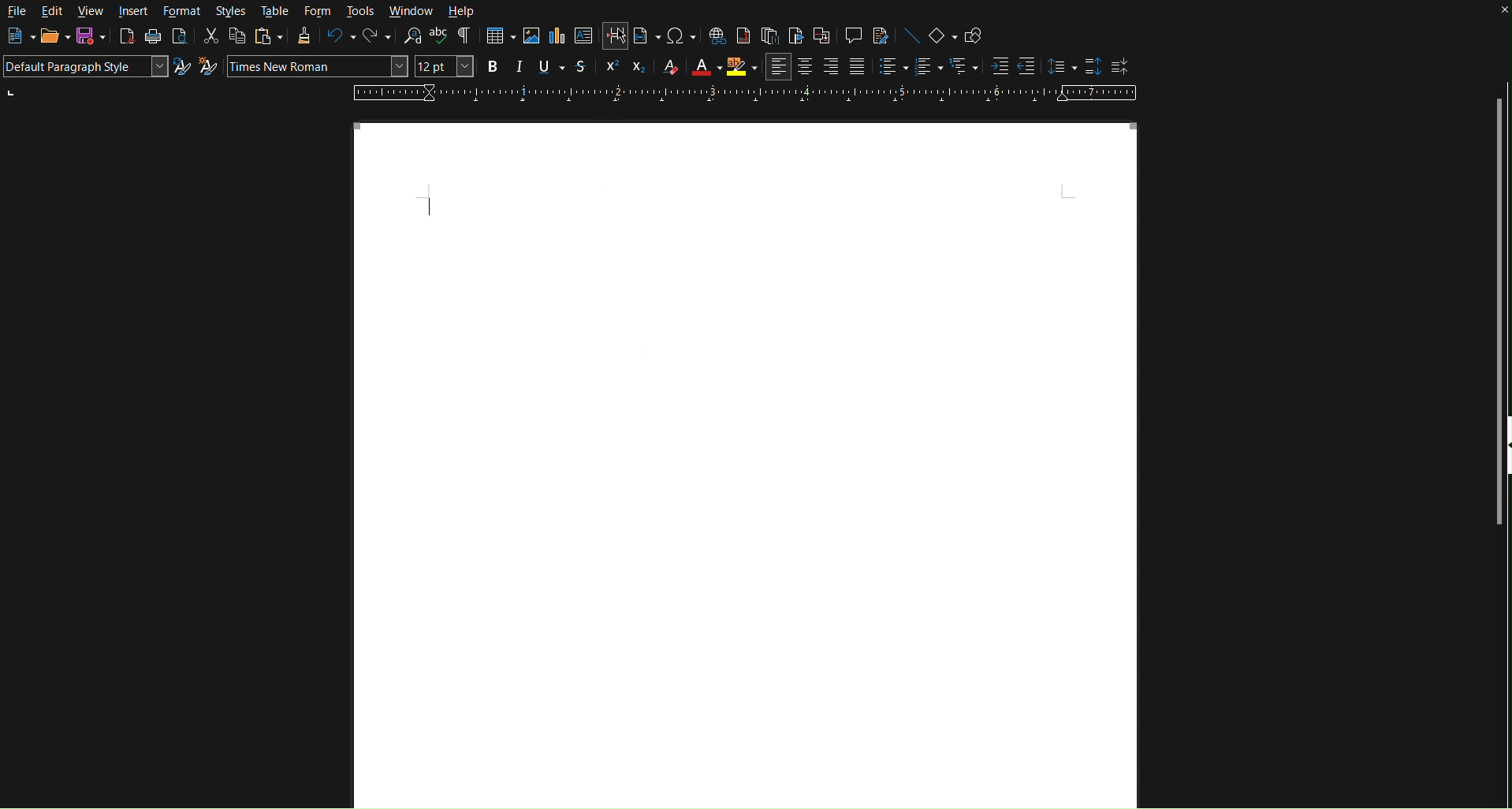  What do you see at coordinates (821, 35) in the screenshot?
I see `Insert Cross Reference` at bounding box center [821, 35].